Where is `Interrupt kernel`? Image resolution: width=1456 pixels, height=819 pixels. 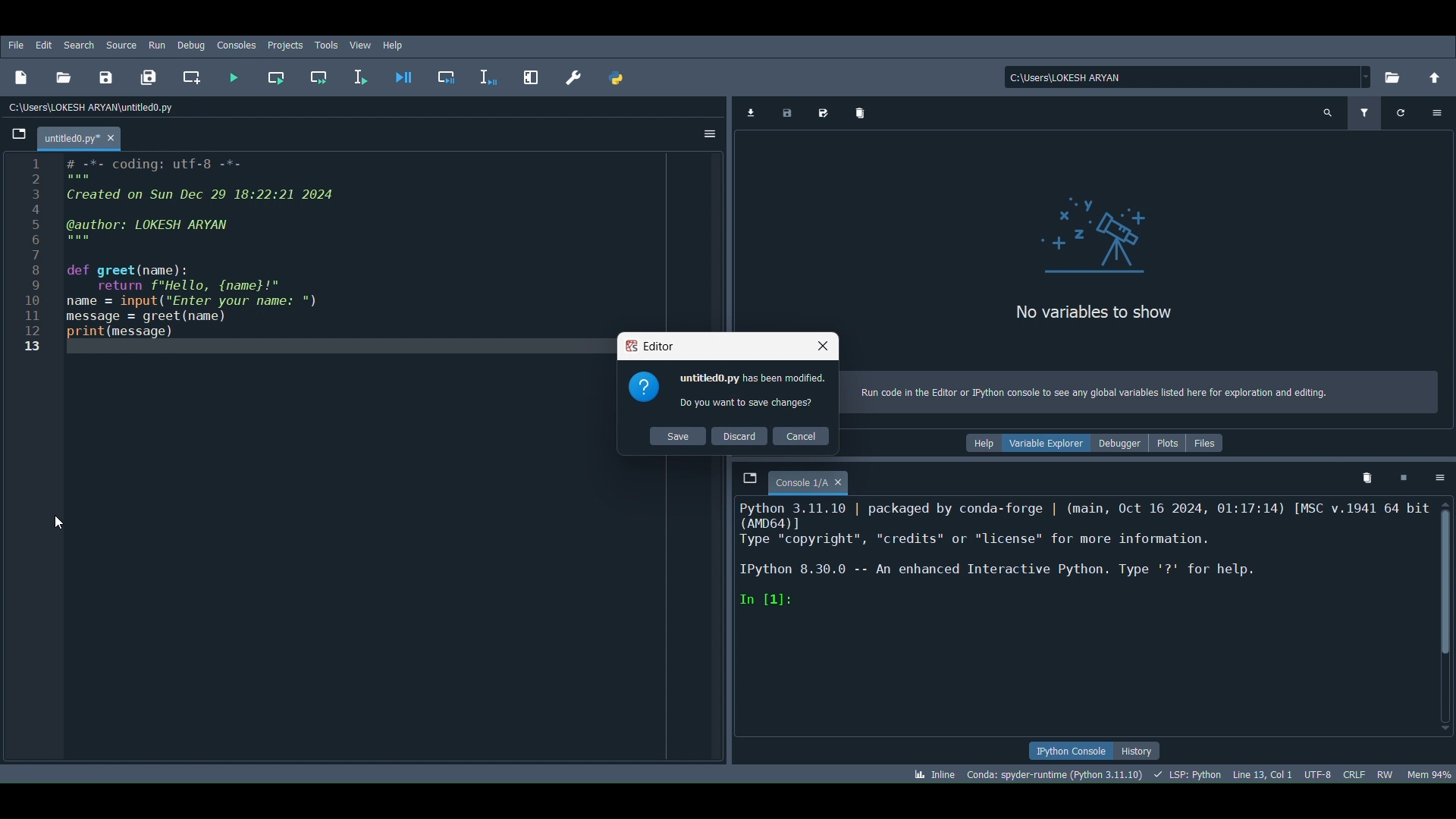
Interrupt kernel is located at coordinates (1407, 476).